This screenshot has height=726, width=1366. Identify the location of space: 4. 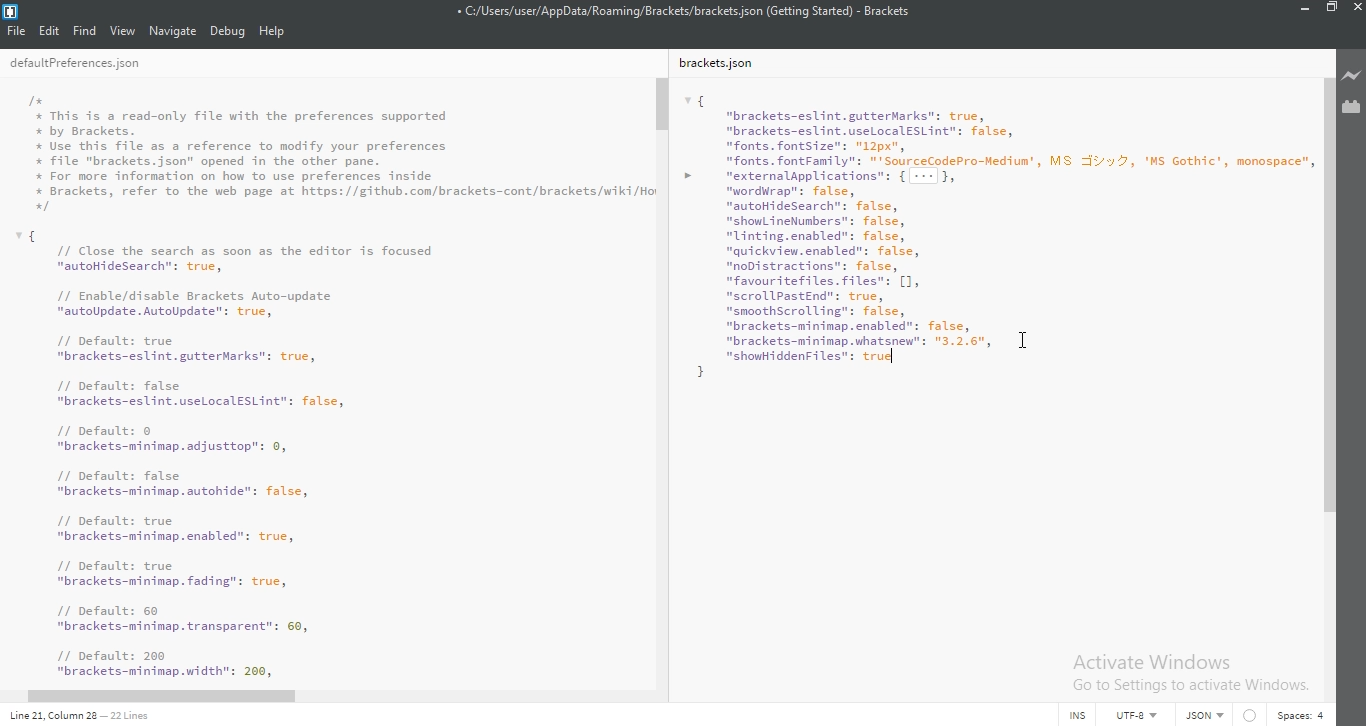
(1298, 713).